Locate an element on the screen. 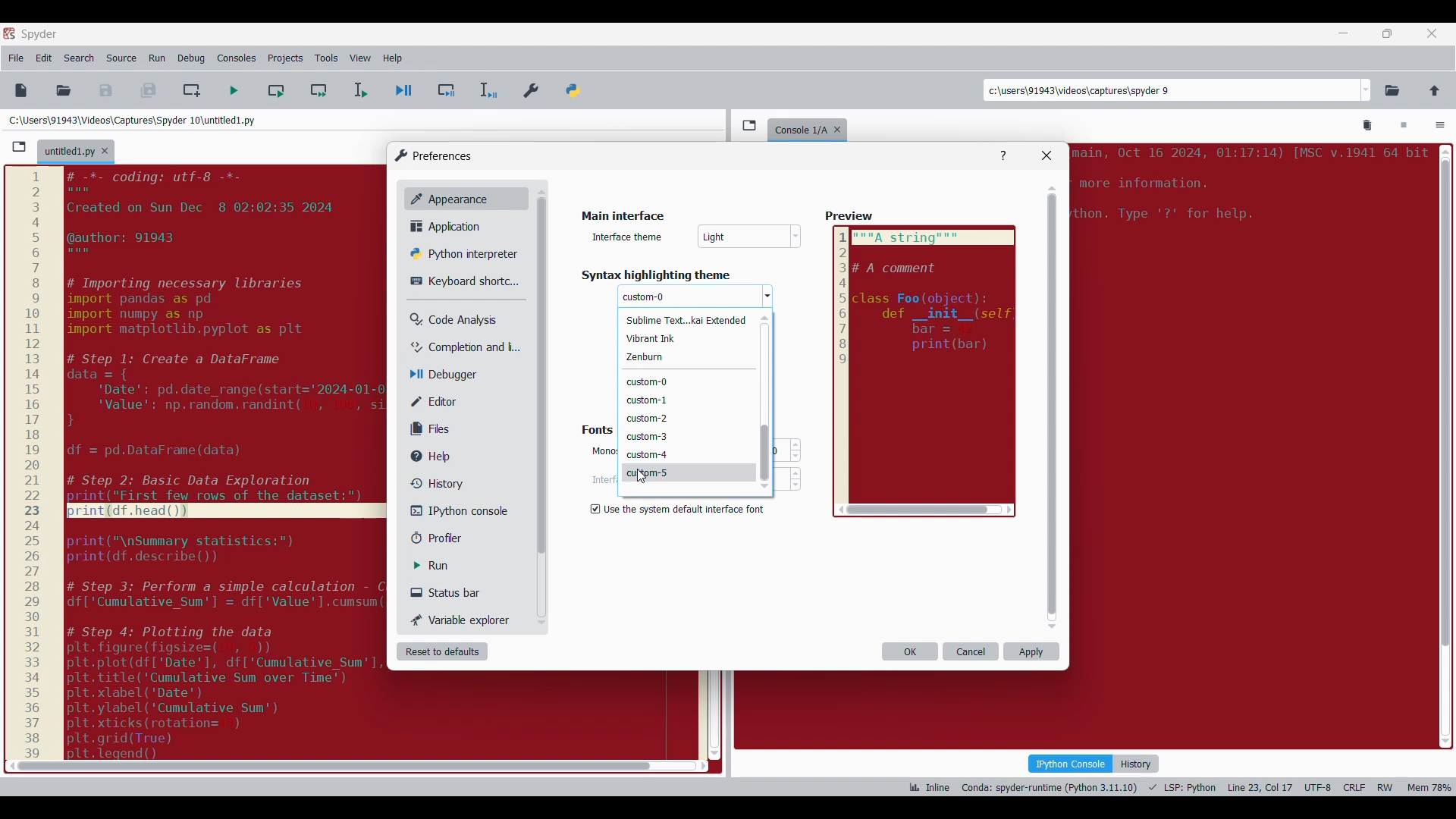  Run current cell and go to next one is located at coordinates (318, 90).